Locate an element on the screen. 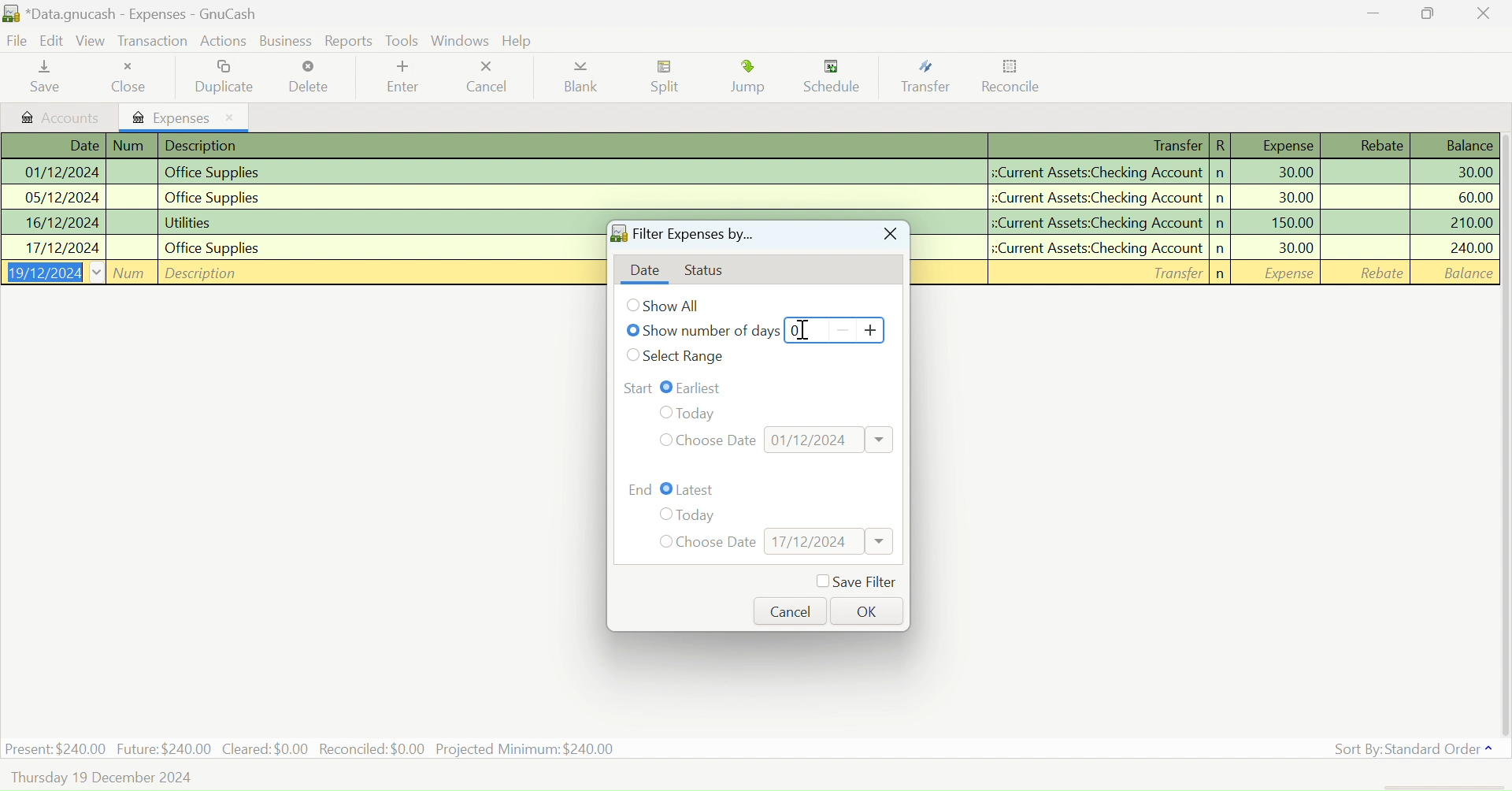 This screenshot has height=791, width=1512. Cancel is located at coordinates (791, 611).